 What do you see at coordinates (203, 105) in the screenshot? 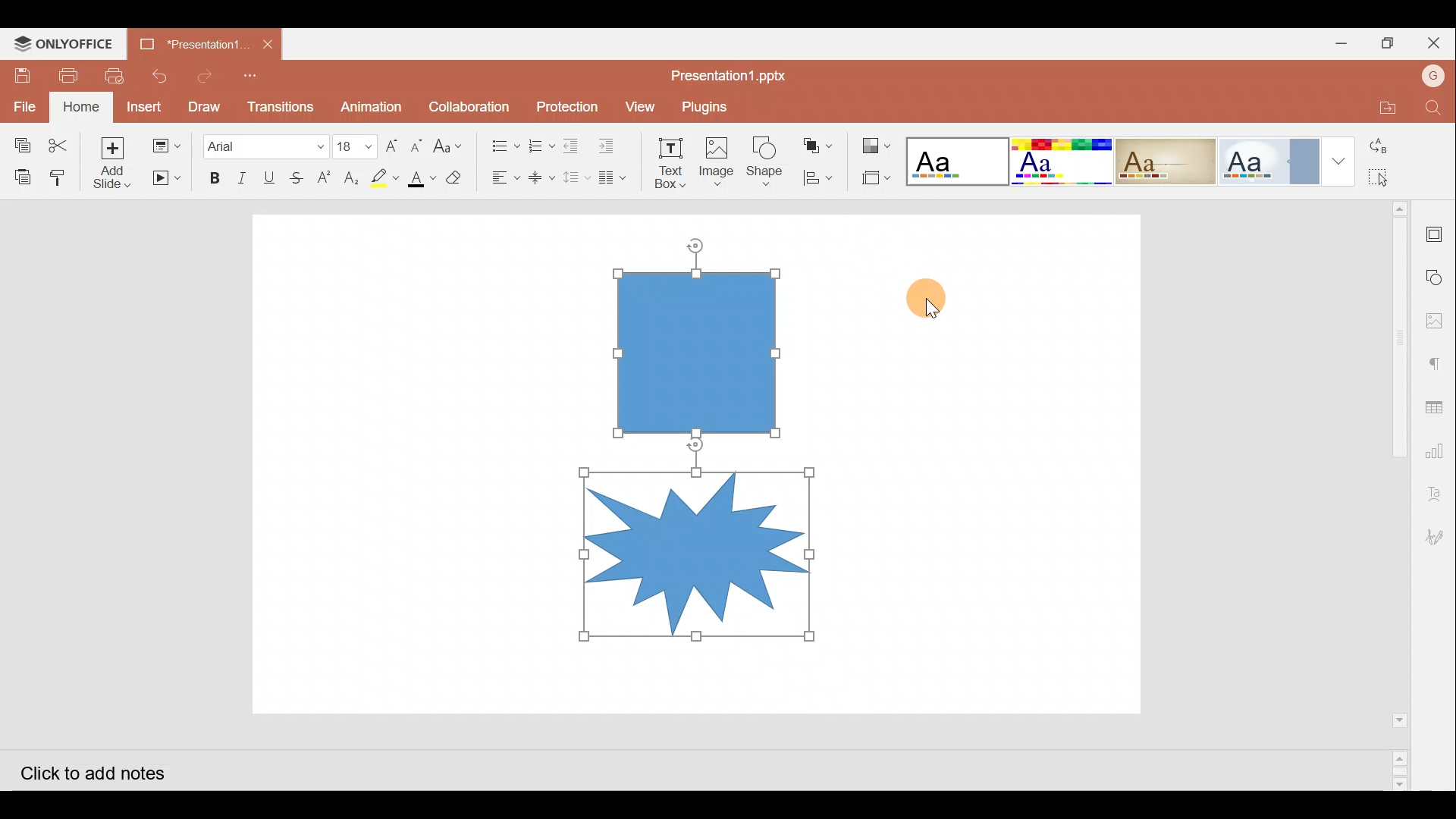
I see `Draw` at bounding box center [203, 105].